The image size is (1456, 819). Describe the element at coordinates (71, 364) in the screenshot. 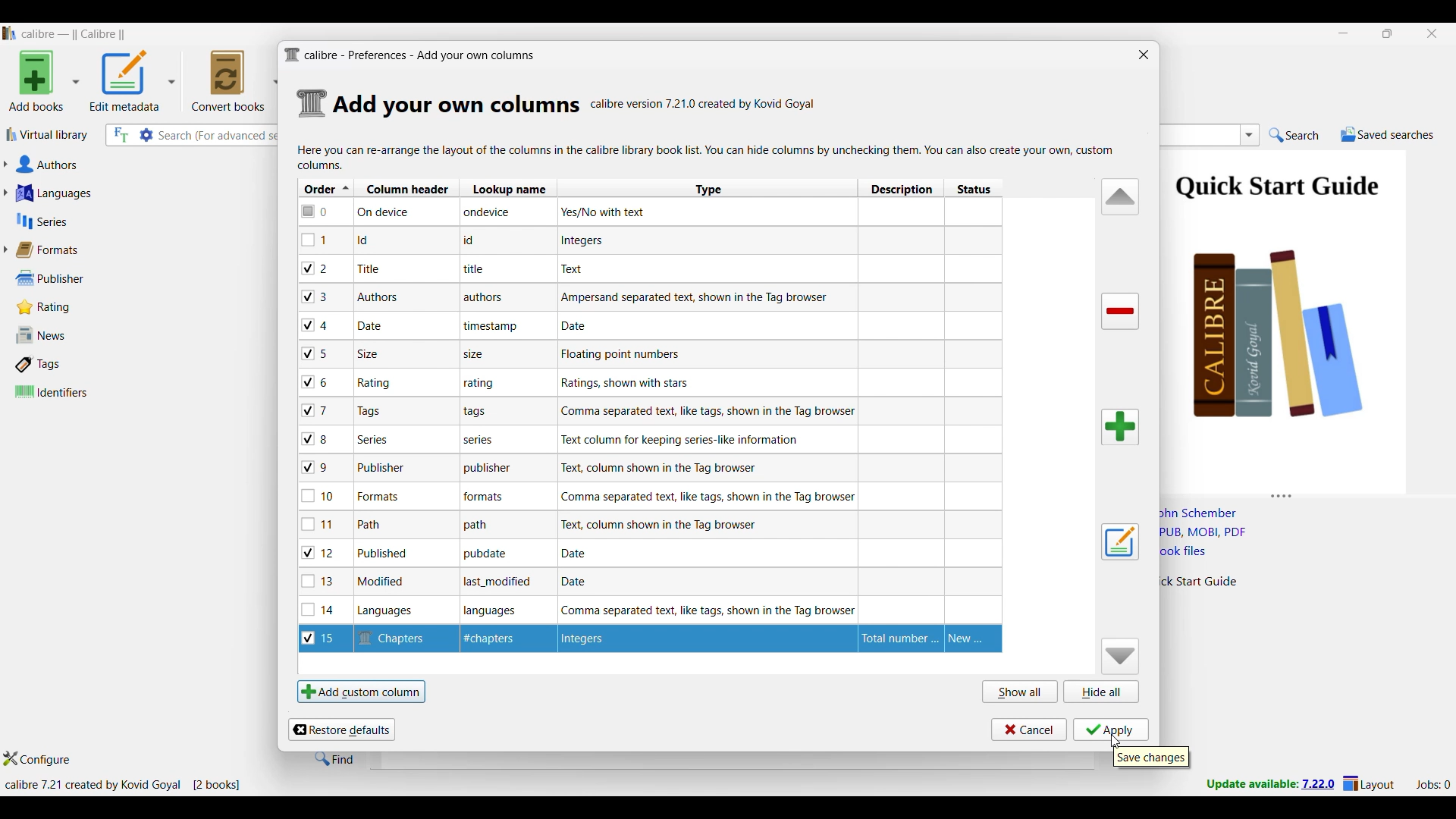

I see `Tags` at that location.